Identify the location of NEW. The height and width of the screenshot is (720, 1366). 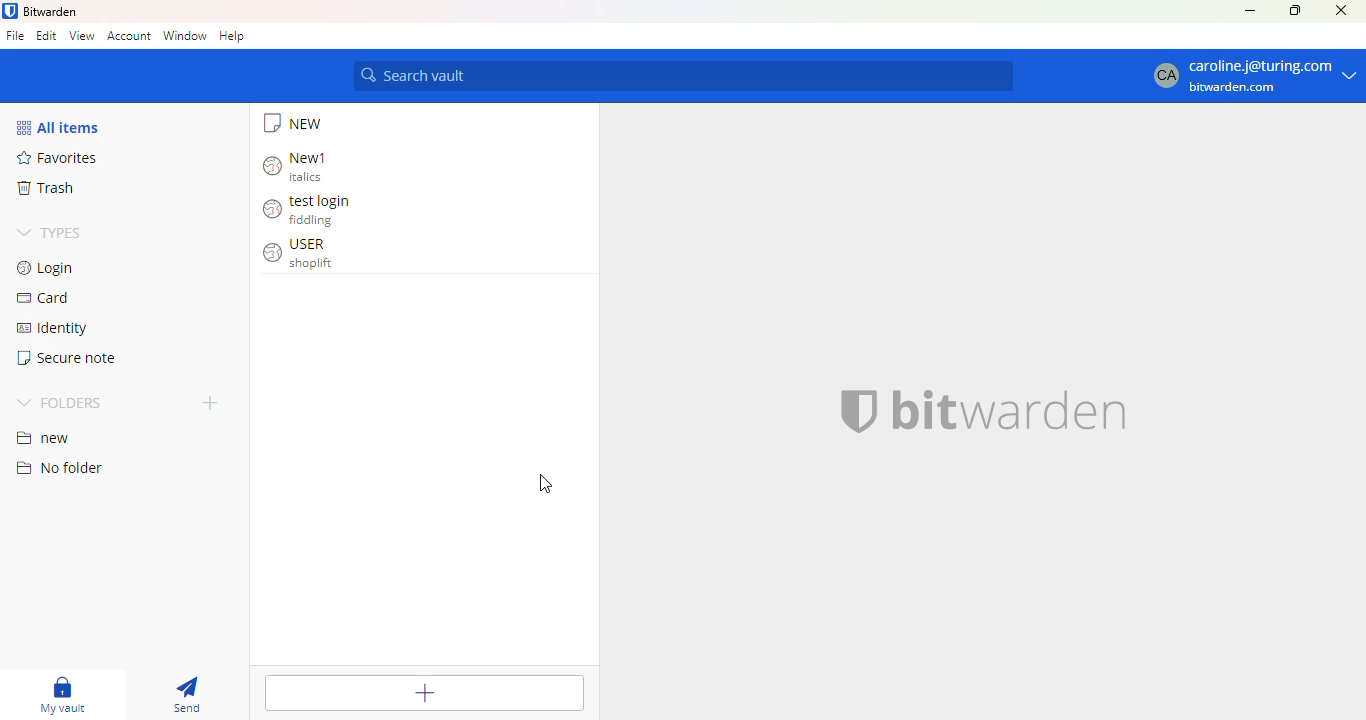
(295, 123).